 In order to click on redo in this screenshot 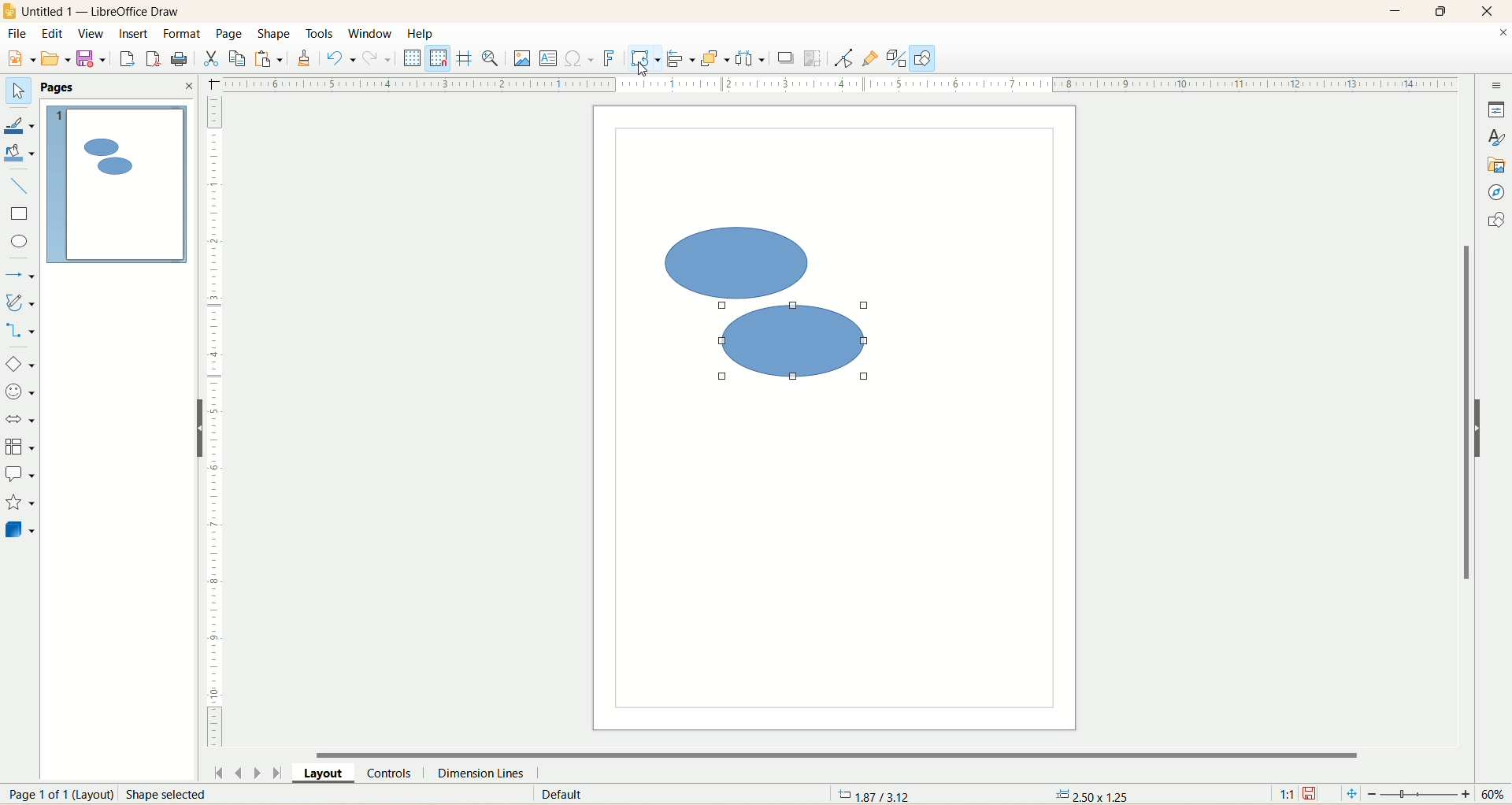, I will do `click(380, 60)`.